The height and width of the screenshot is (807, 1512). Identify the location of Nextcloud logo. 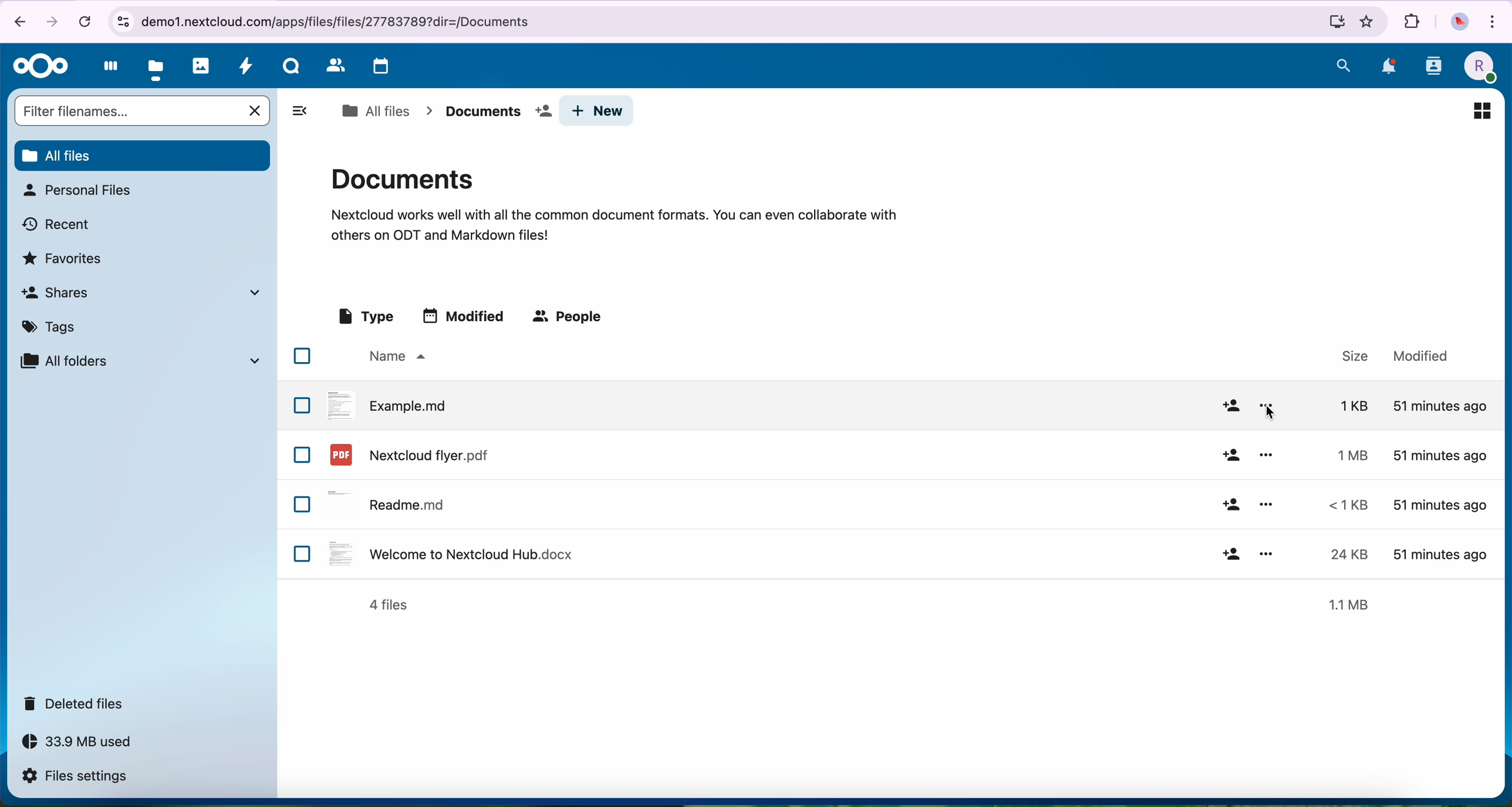
(37, 66).